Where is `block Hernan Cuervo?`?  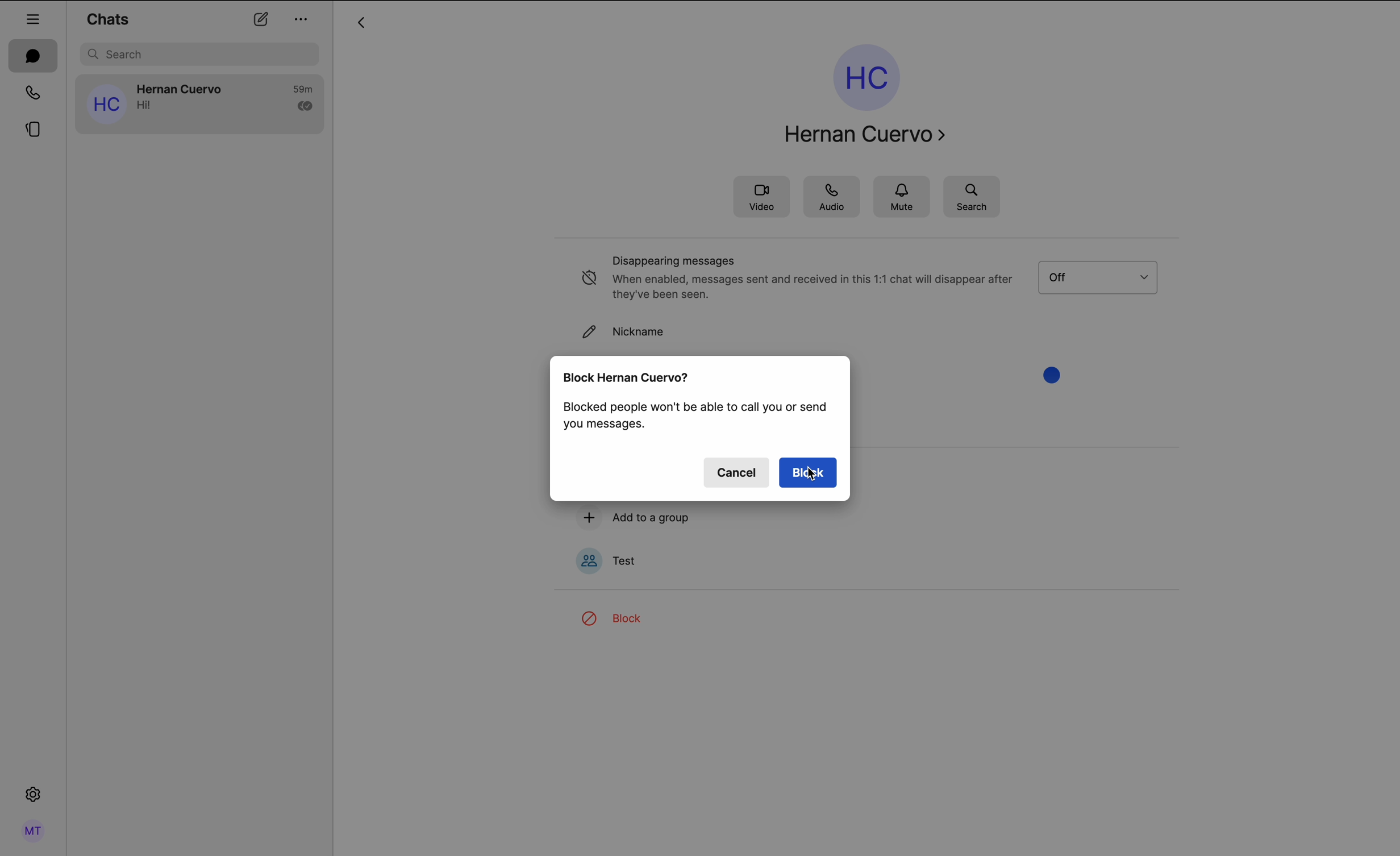 block Hernan Cuervo? is located at coordinates (626, 377).